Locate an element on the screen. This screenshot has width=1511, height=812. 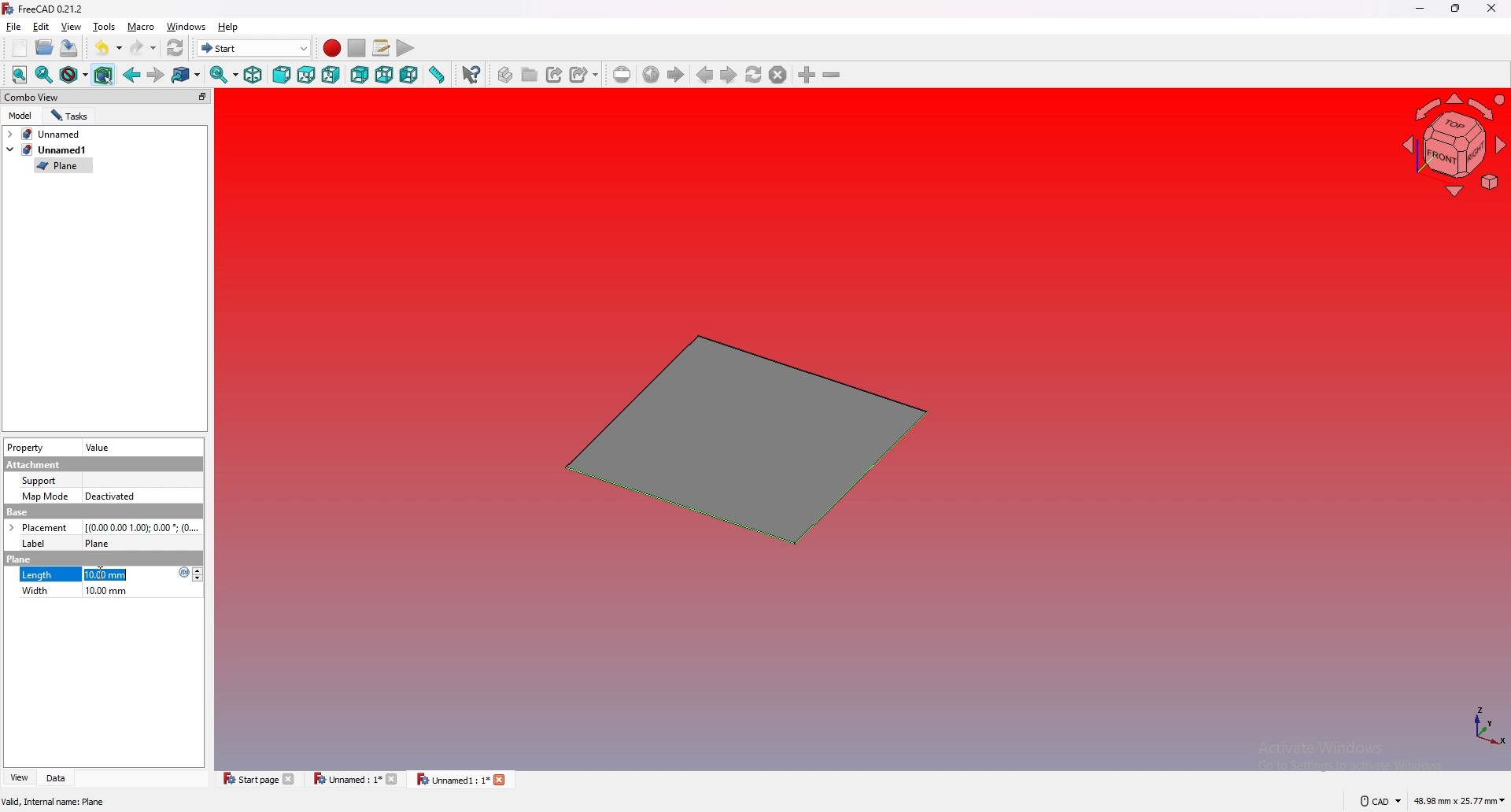
redo is located at coordinates (144, 48).